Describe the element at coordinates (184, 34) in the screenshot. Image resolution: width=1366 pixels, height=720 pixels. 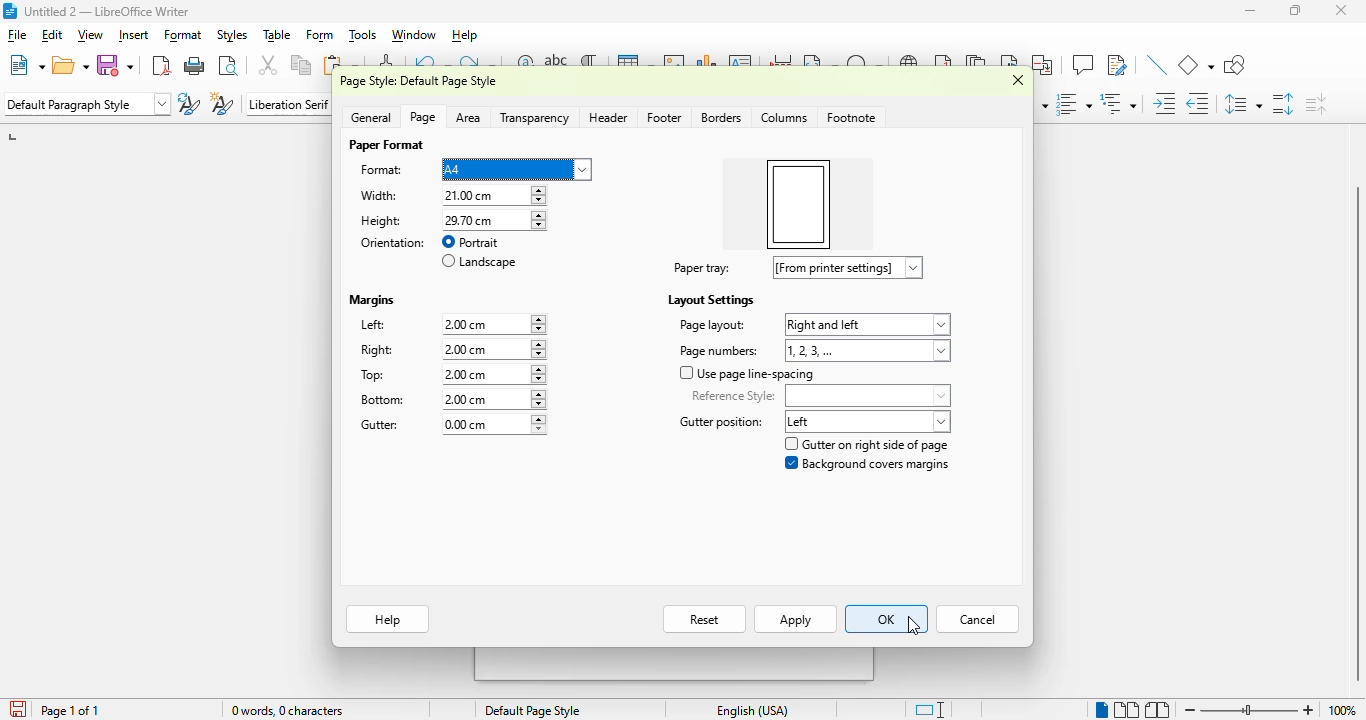
I see `format` at that location.